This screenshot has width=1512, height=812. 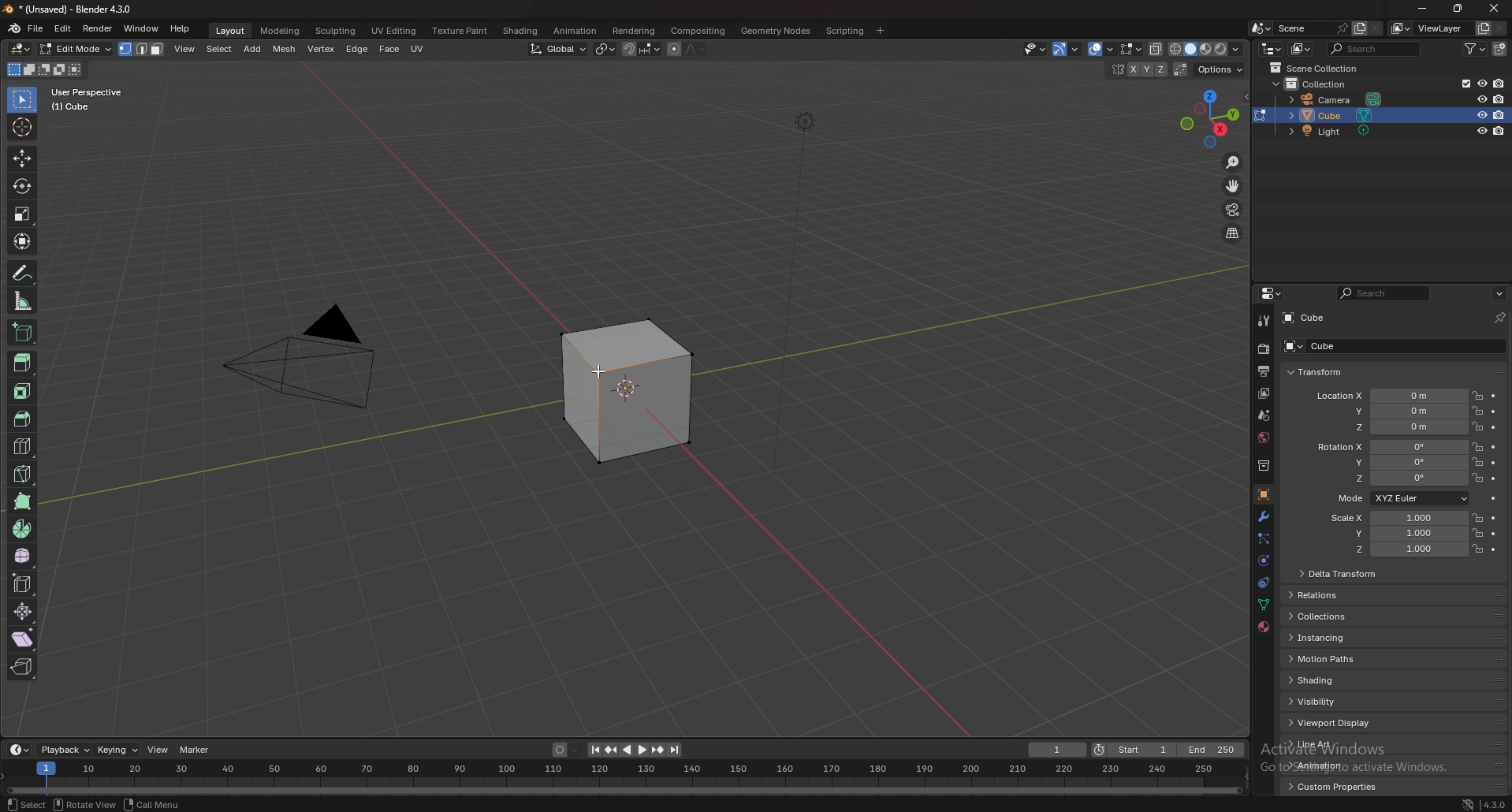 What do you see at coordinates (22, 393) in the screenshot?
I see `inset faces` at bounding box center [22, 393].